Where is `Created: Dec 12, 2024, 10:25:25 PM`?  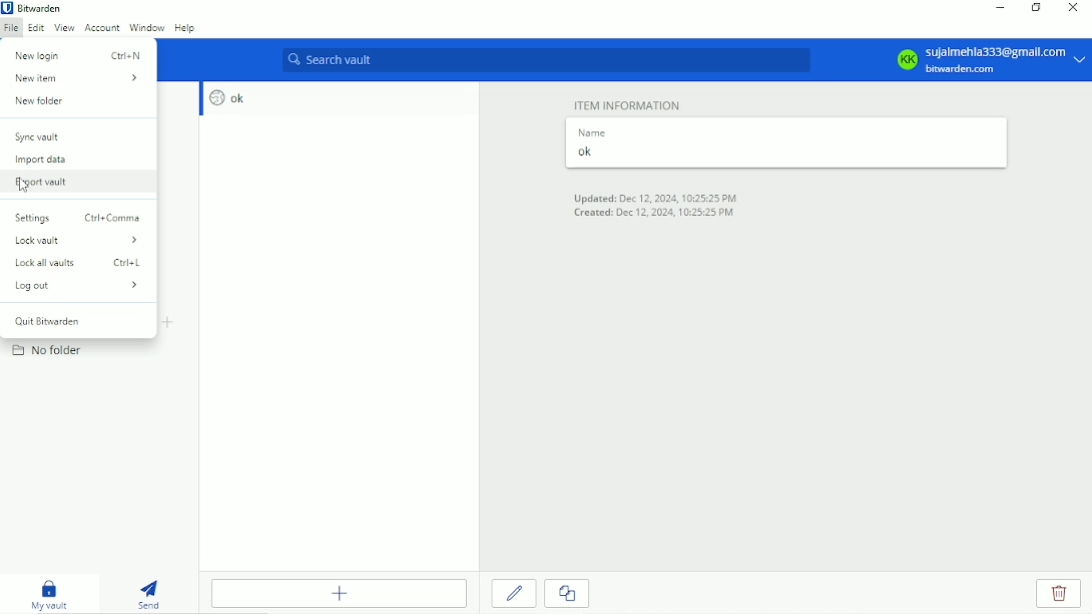
Created: Dec 12, 2024, 10:25:25 PM is located at coordinates (653, 214).